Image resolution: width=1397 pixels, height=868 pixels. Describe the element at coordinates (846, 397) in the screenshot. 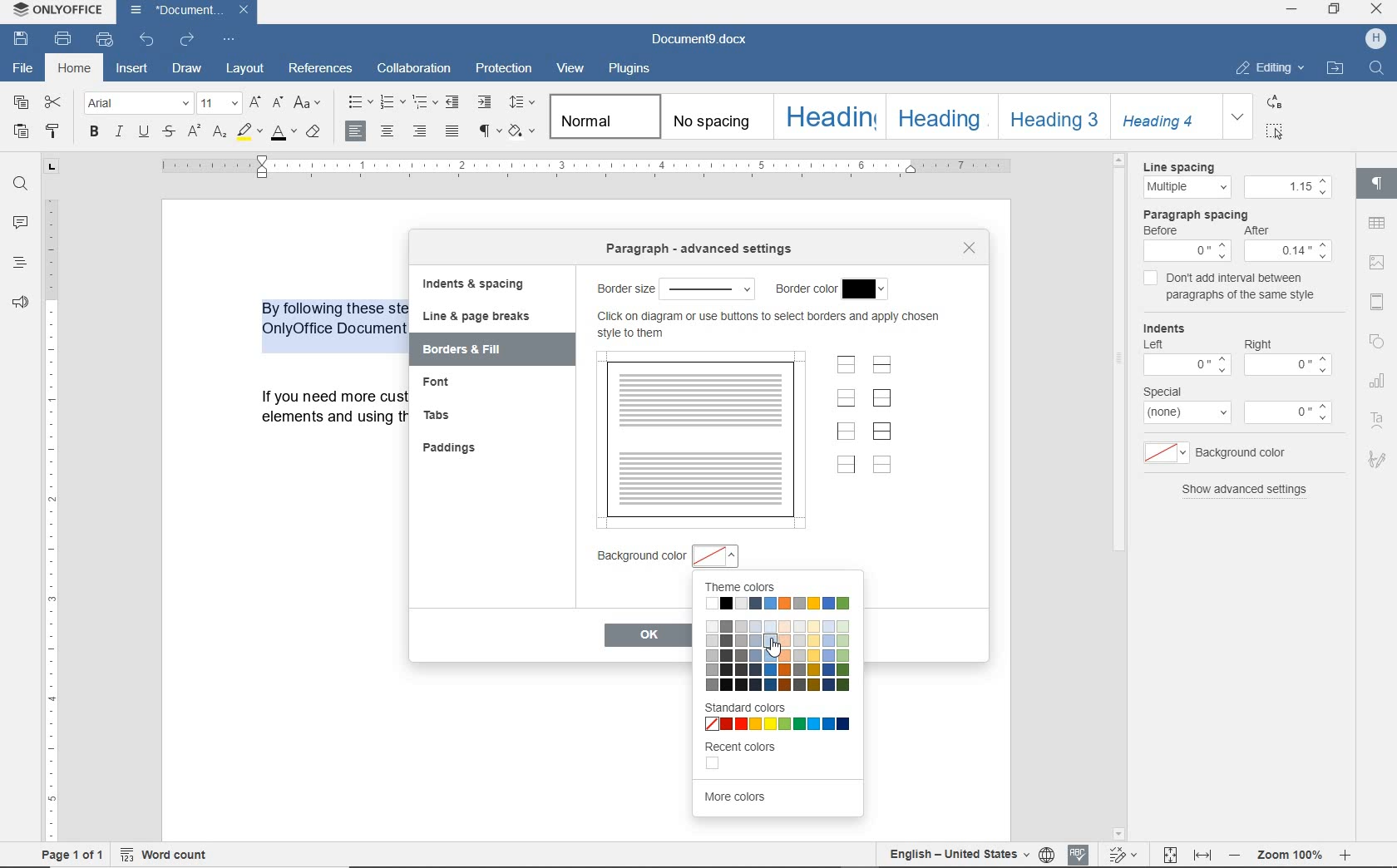

I see `set bottom border only` at that location.